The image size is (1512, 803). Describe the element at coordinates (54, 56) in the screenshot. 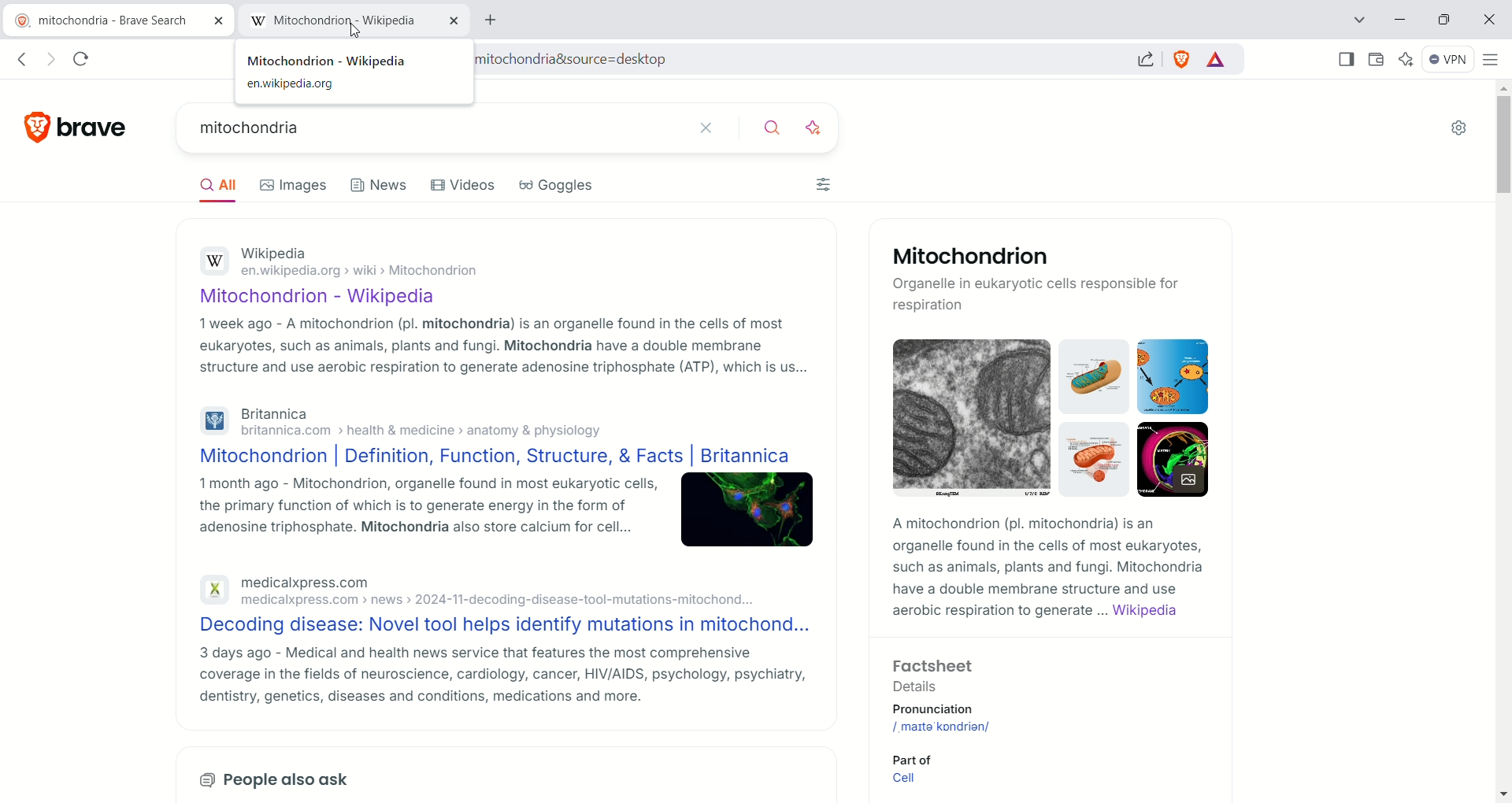

I see `go forward` at that location.